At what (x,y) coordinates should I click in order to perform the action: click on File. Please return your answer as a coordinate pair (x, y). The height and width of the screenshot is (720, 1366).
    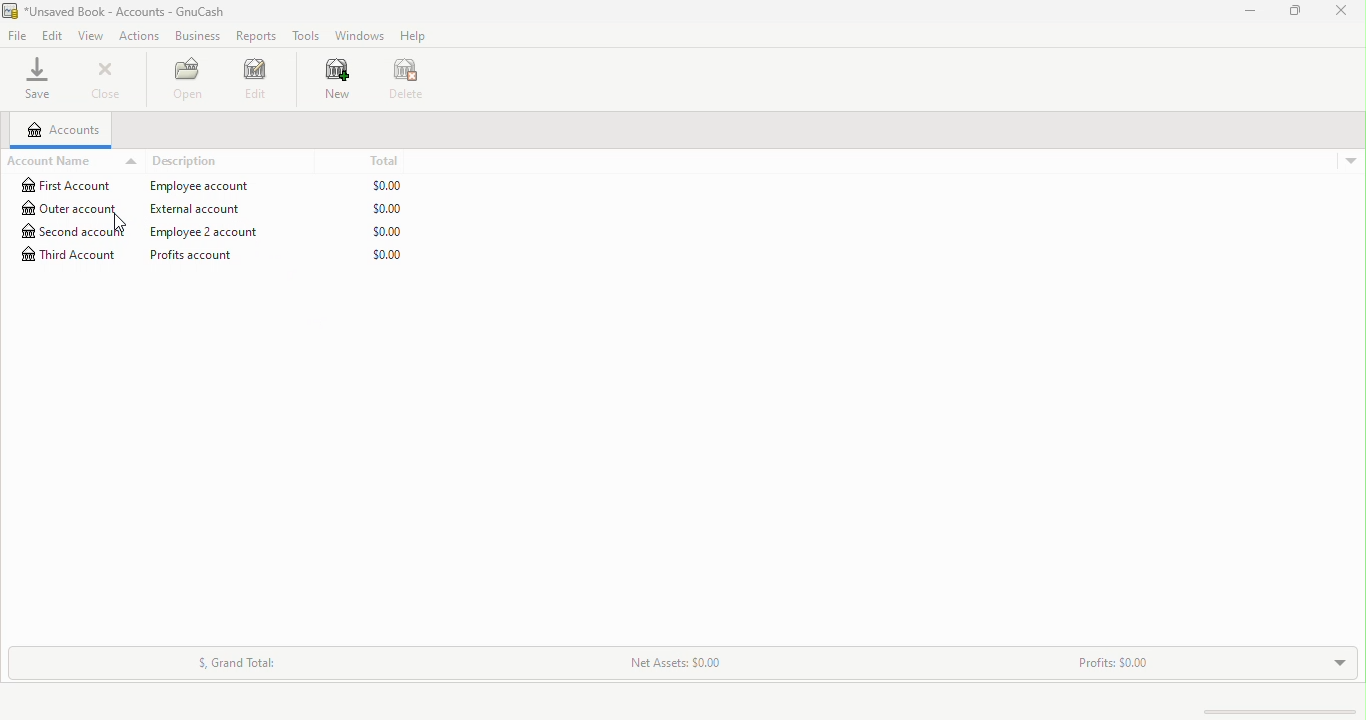
    Looking at the image, I should click on (20, 36).